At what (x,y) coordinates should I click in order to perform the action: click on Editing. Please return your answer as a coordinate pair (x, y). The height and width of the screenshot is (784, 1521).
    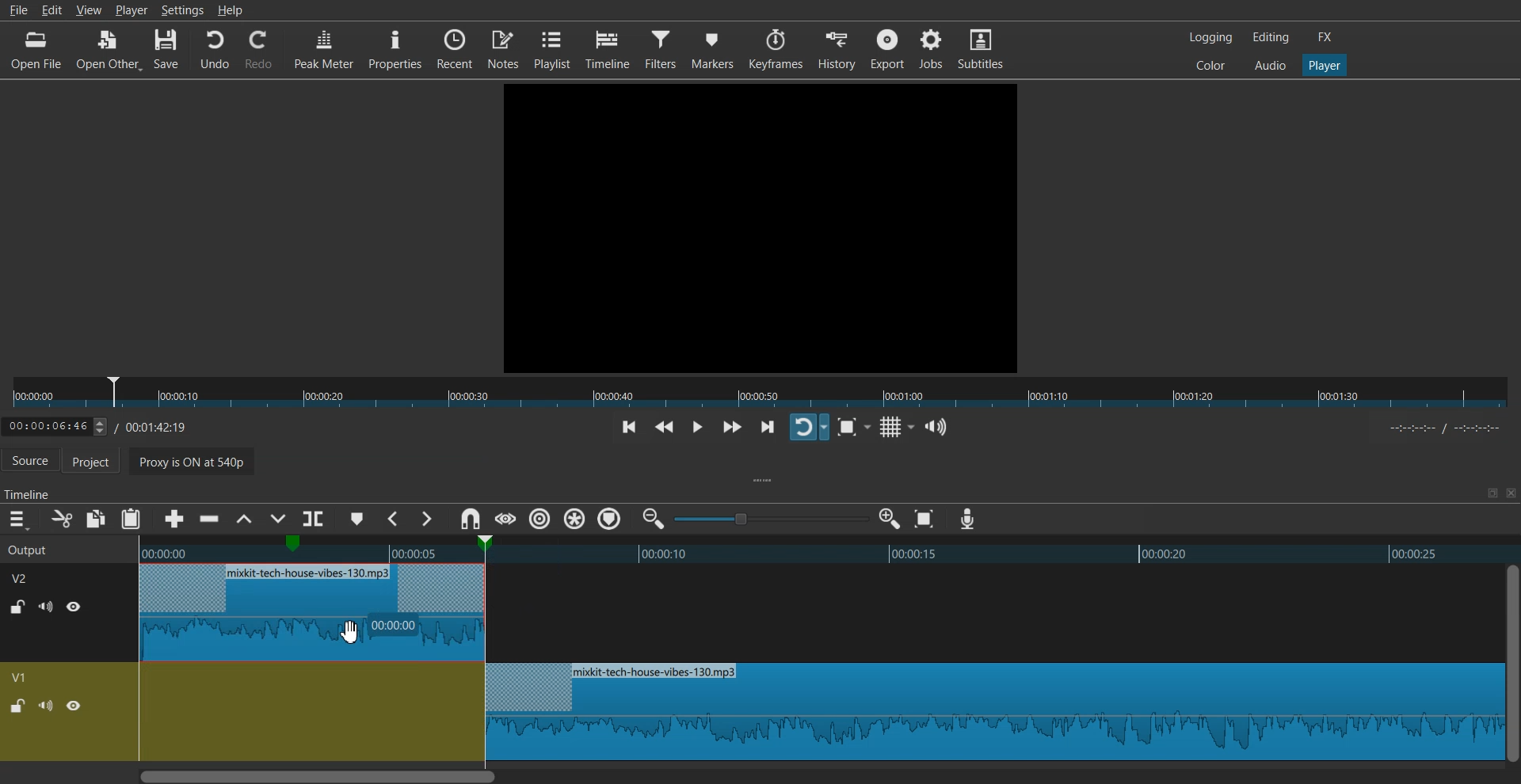
    Looking at the image, I should click on (1271, 36).